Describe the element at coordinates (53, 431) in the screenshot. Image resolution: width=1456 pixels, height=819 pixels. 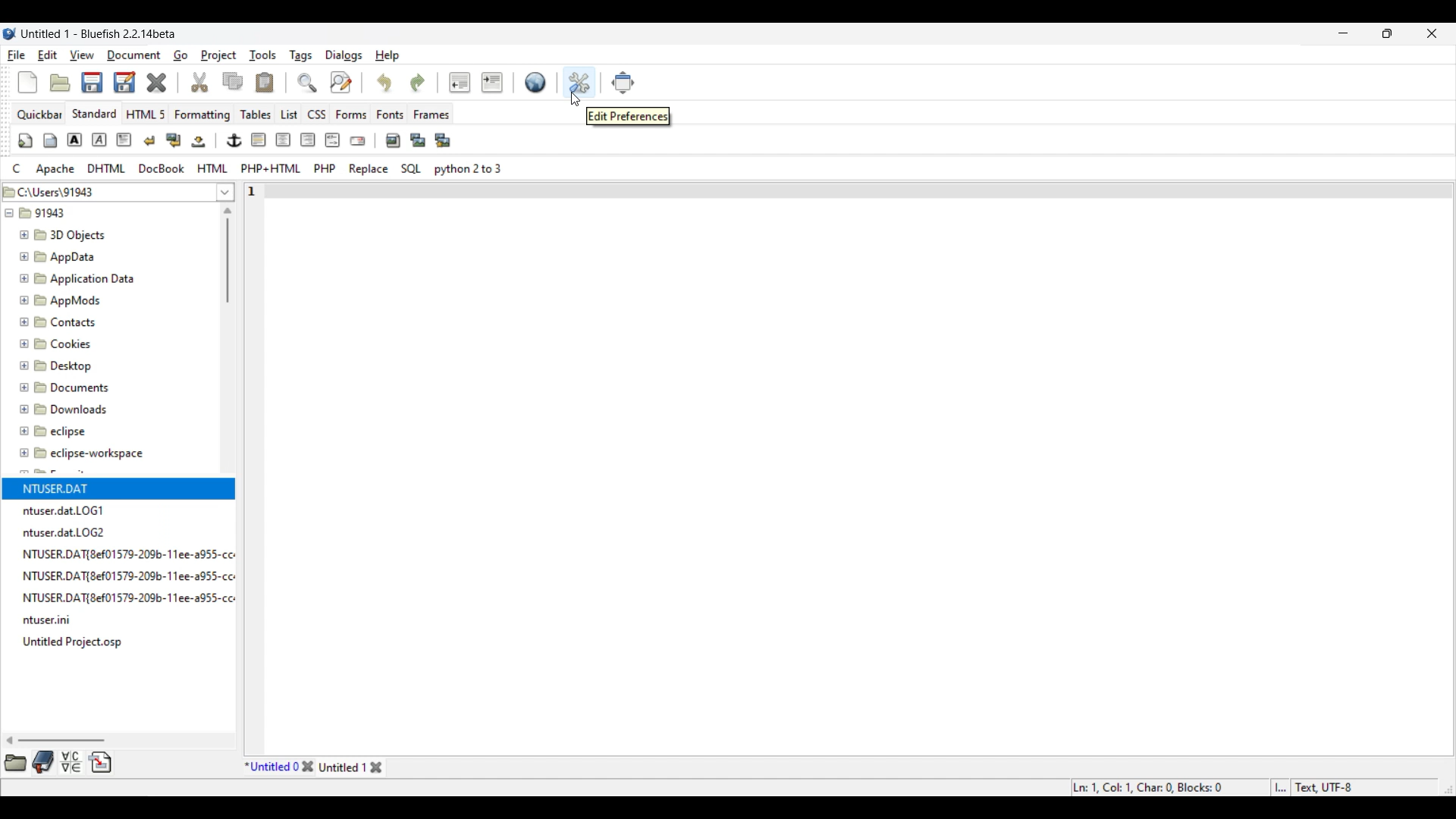
I see `®B eclipse` at that location.